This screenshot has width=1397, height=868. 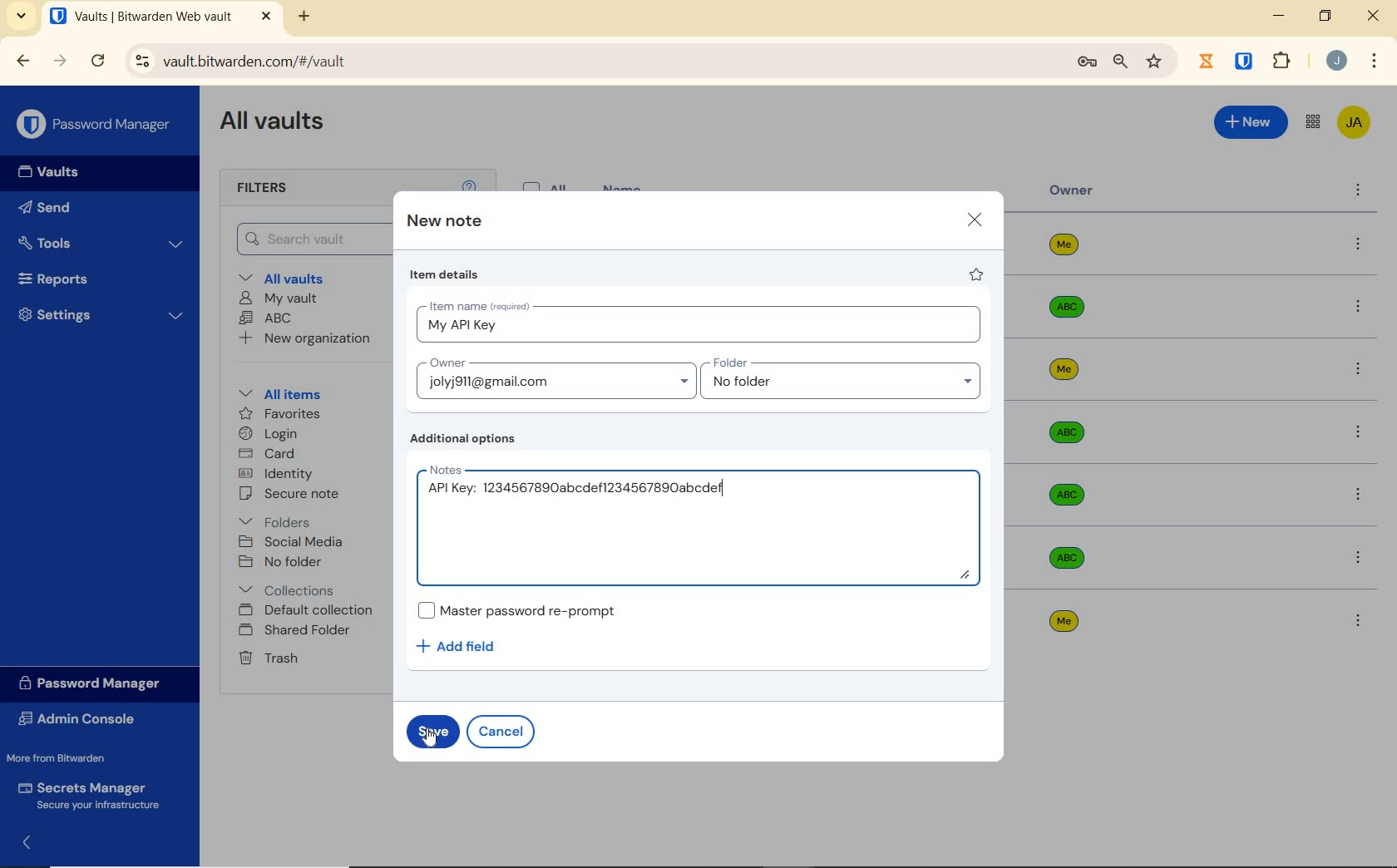 I want to click on new note, so click(x=444, y=222).